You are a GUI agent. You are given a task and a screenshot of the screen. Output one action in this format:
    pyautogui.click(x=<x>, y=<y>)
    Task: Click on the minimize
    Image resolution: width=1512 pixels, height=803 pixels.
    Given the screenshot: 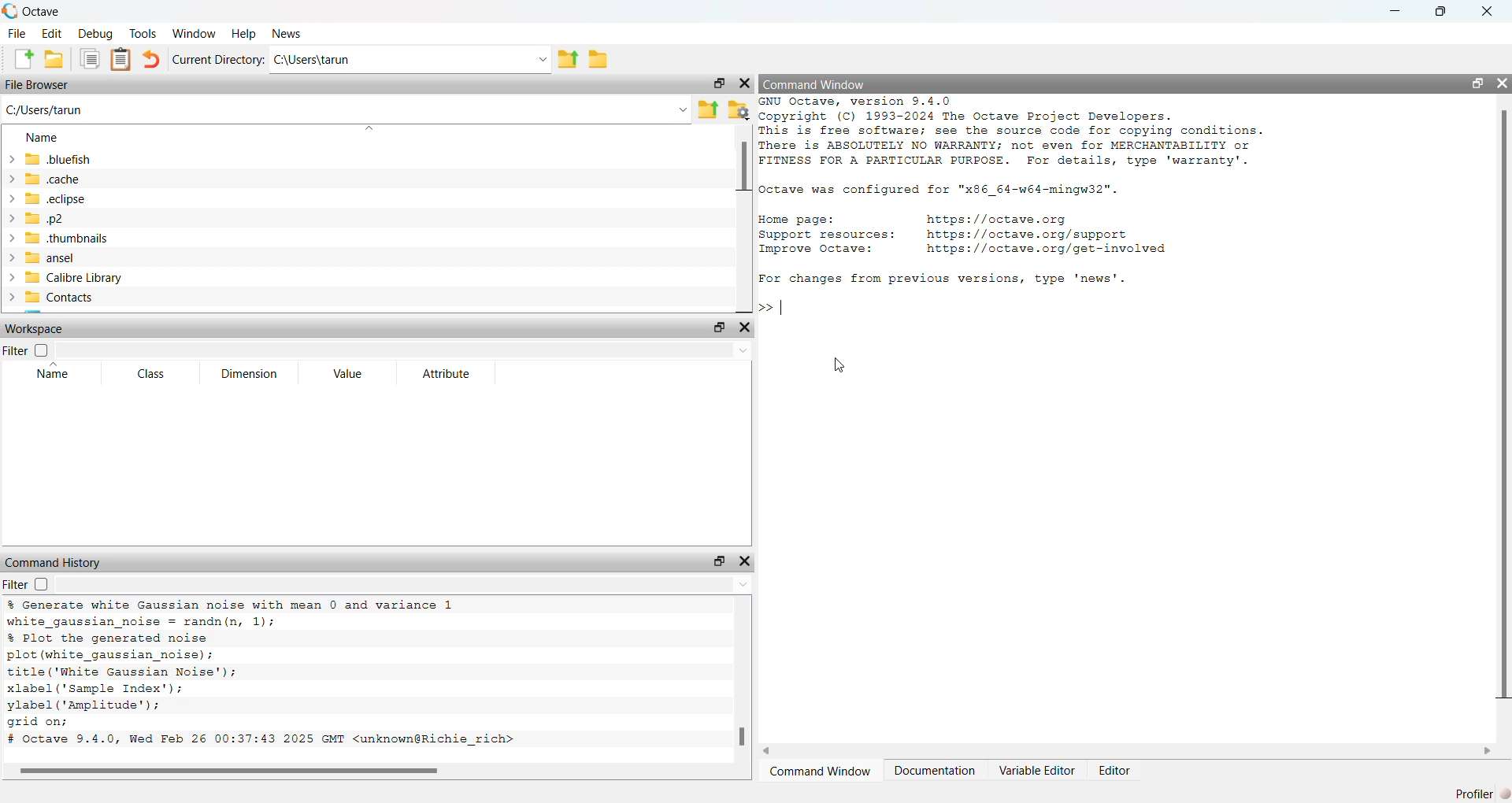 What is the action you would take?
    pyautogui.click(x=1393, y=13)
    